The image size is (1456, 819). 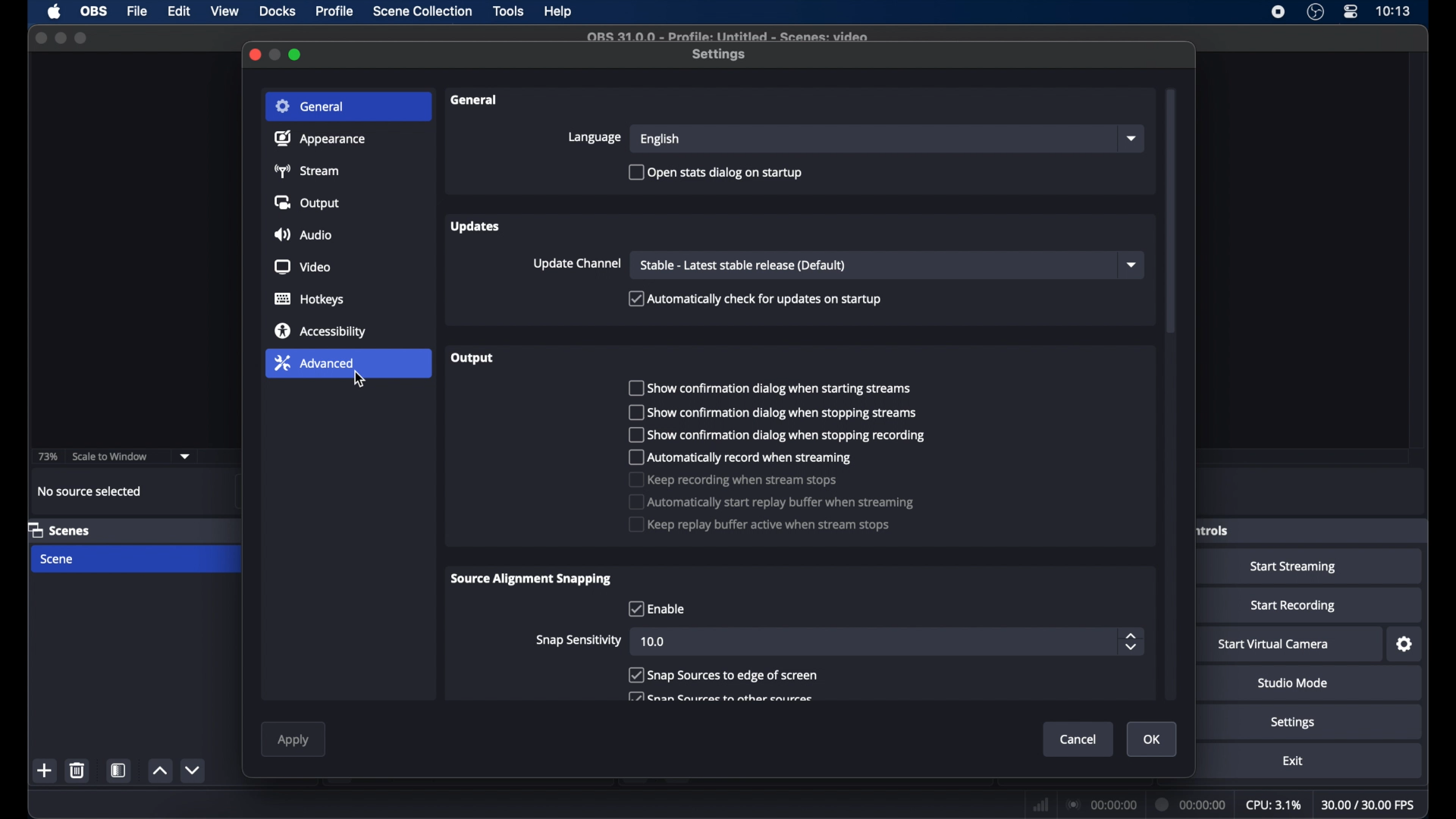 I want to click on snap sensitivity, so click(x=581, y=639).